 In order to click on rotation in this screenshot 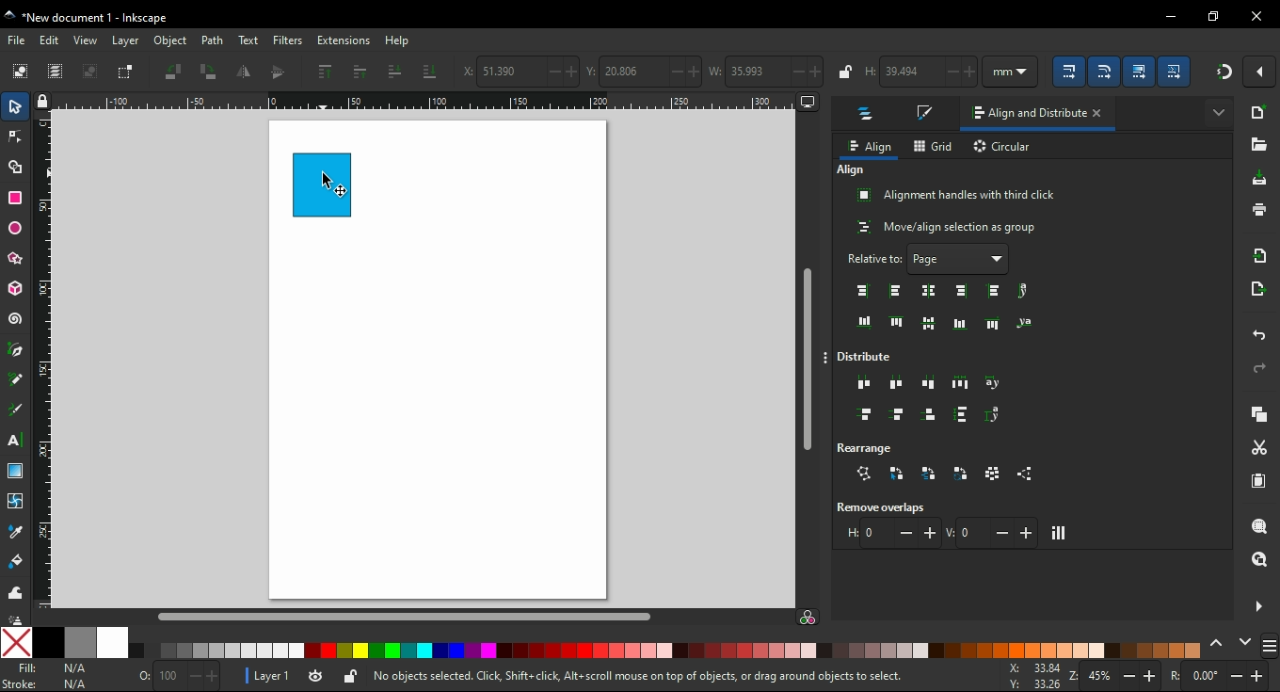, I will do `click(1220, 676)`.